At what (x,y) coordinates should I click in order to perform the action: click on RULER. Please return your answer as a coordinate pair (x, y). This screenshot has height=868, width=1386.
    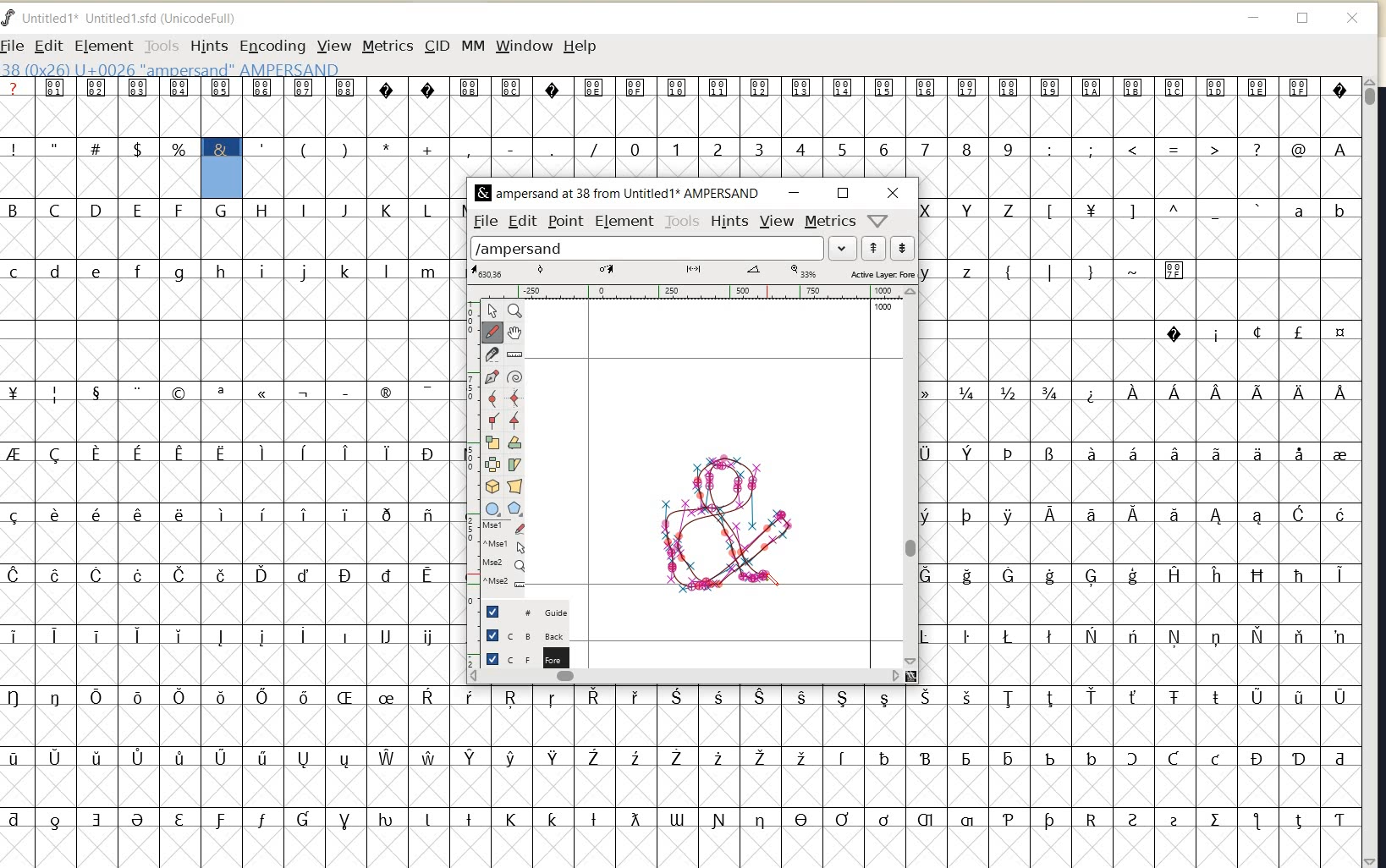
    Looking at the image, I should click on (688, 292).